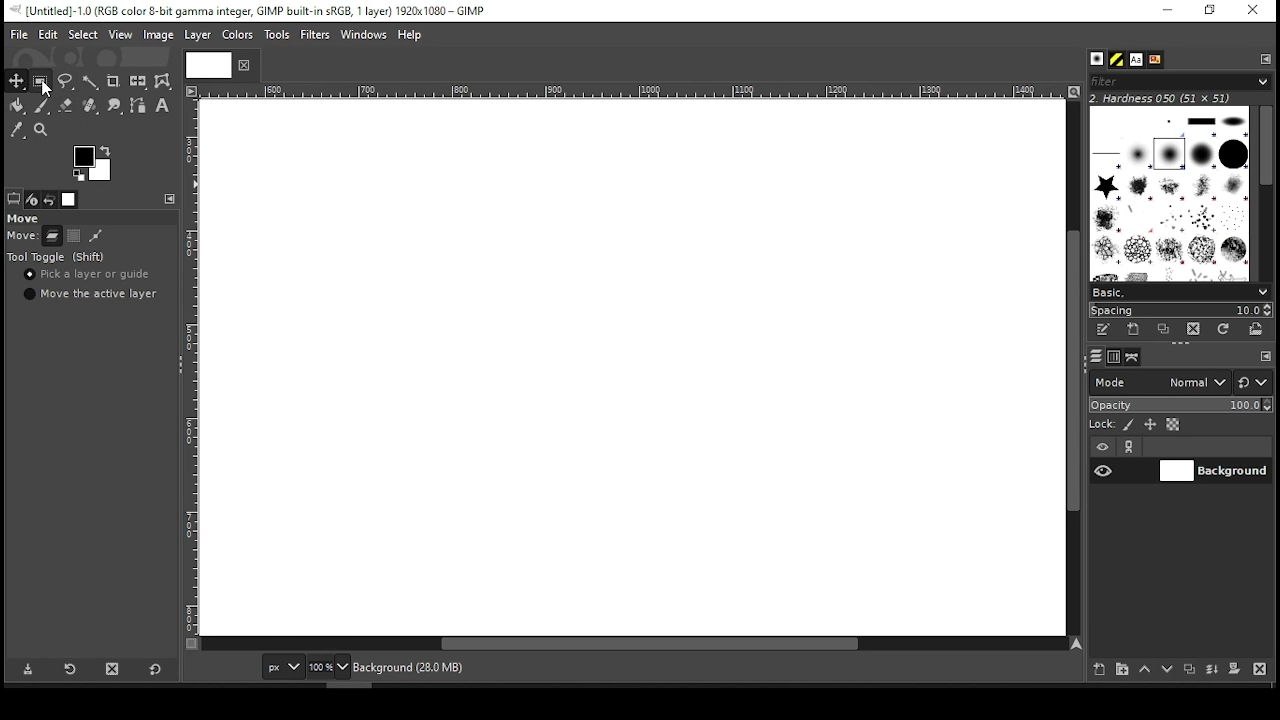 Image resolution: width=1280 pixels, height=720 pixels. What do you see at coordinates (1159, 384) in the screenshot?
I see `mode` at bounding box center [1159, 384].